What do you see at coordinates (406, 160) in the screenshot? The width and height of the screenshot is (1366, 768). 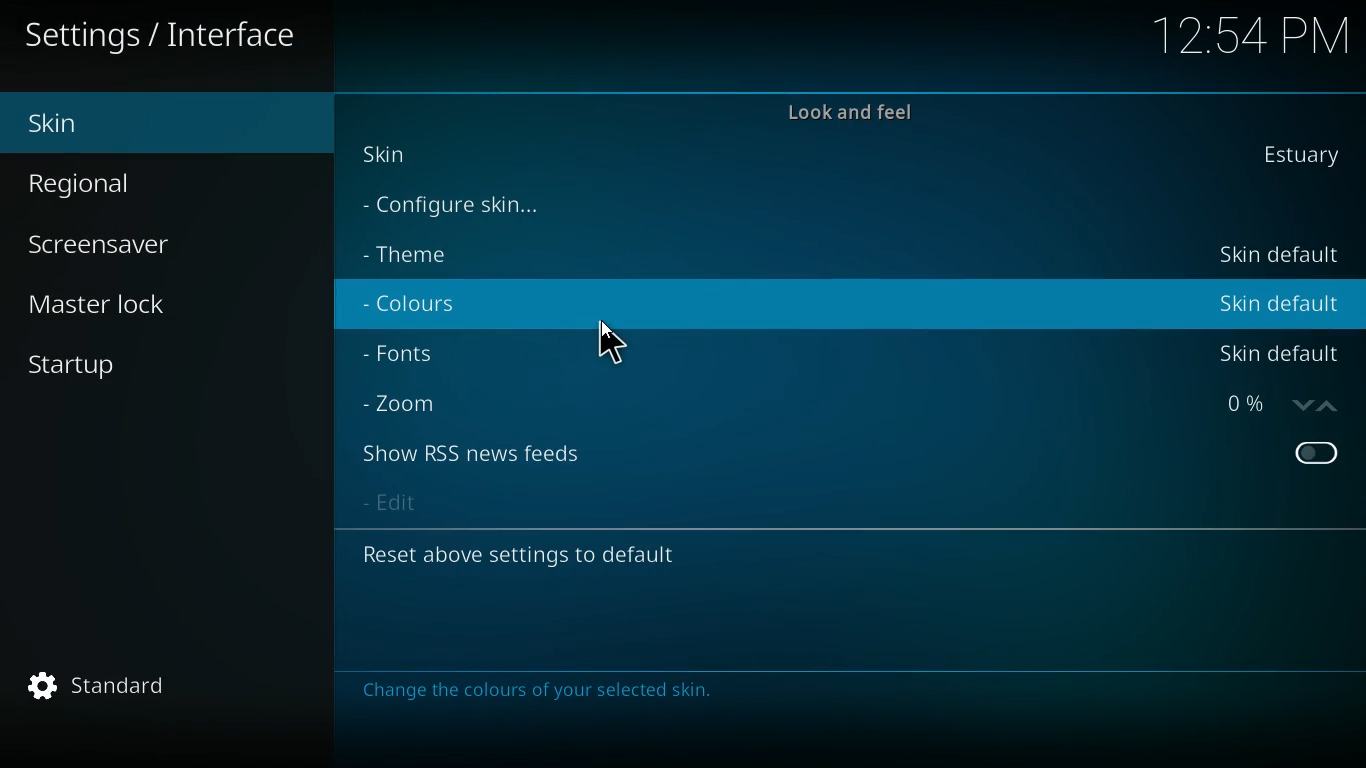 I see `skin` at bounding box center [406, 160].